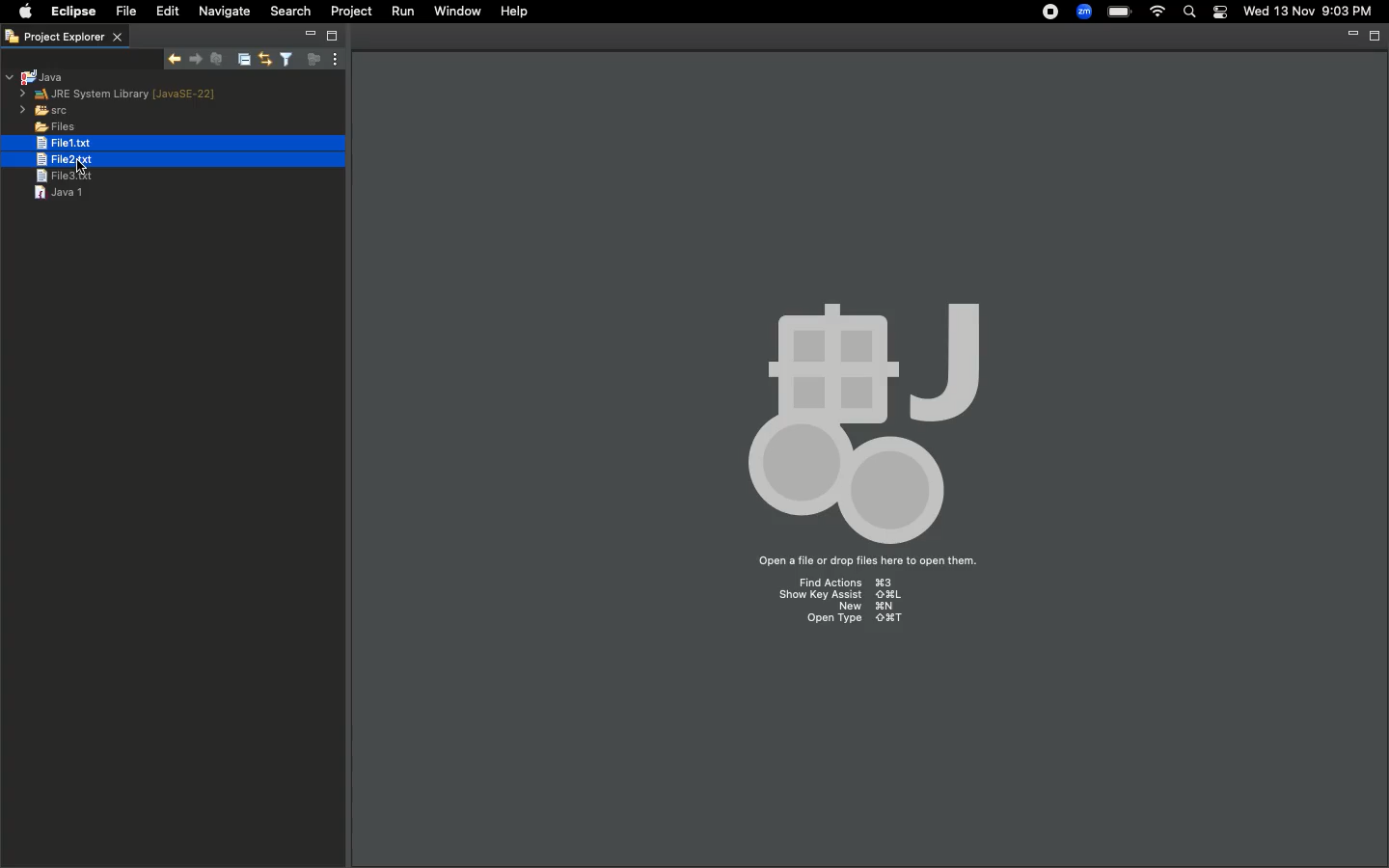 The image size is (1389, 868). What do you see at coordinates (1348, 36) in the screenshot?
I see `Minimize` at bounding box center [1348, 36].